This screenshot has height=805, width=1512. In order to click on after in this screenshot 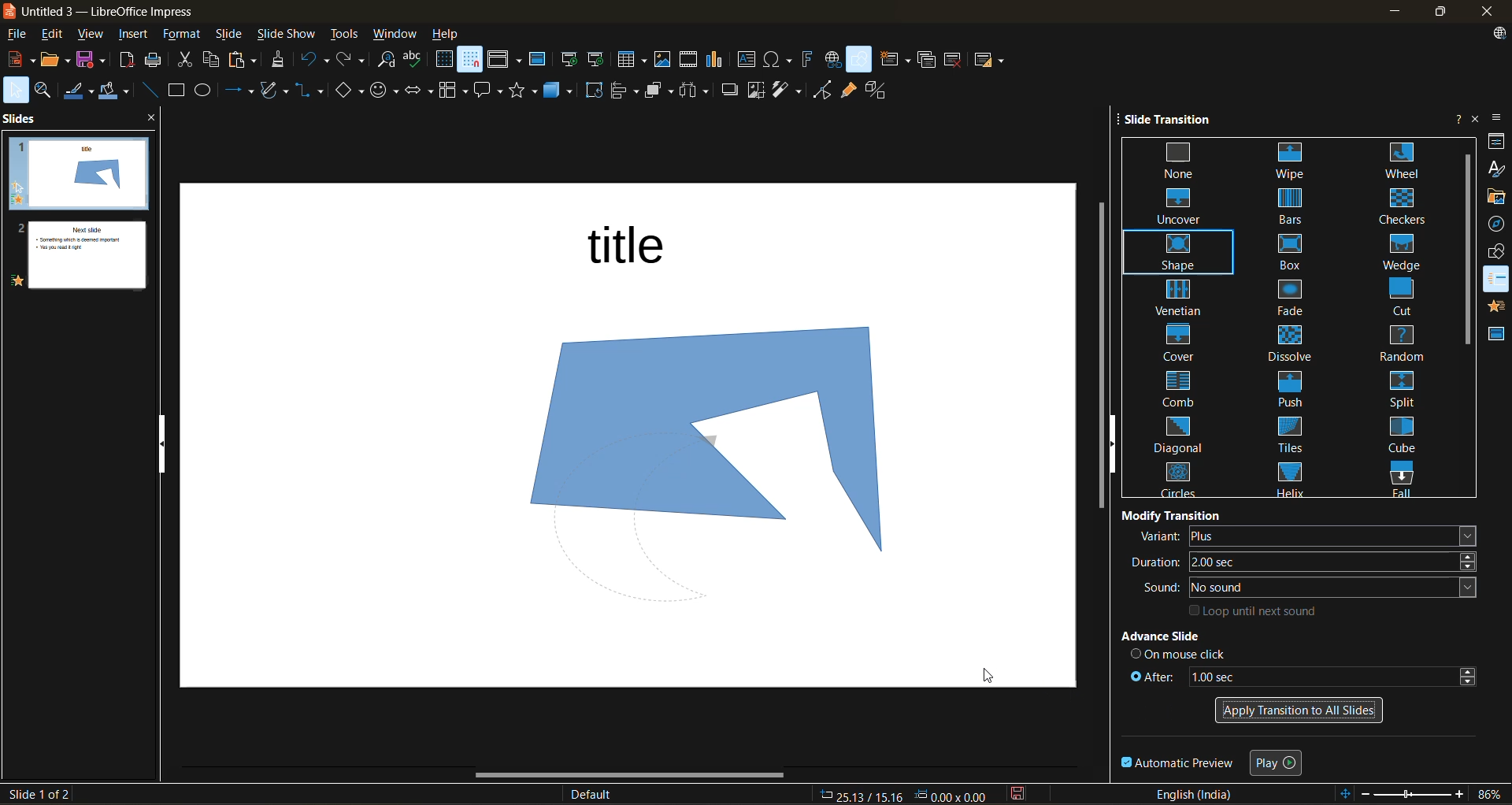, I will do `click(1300, 674)`.